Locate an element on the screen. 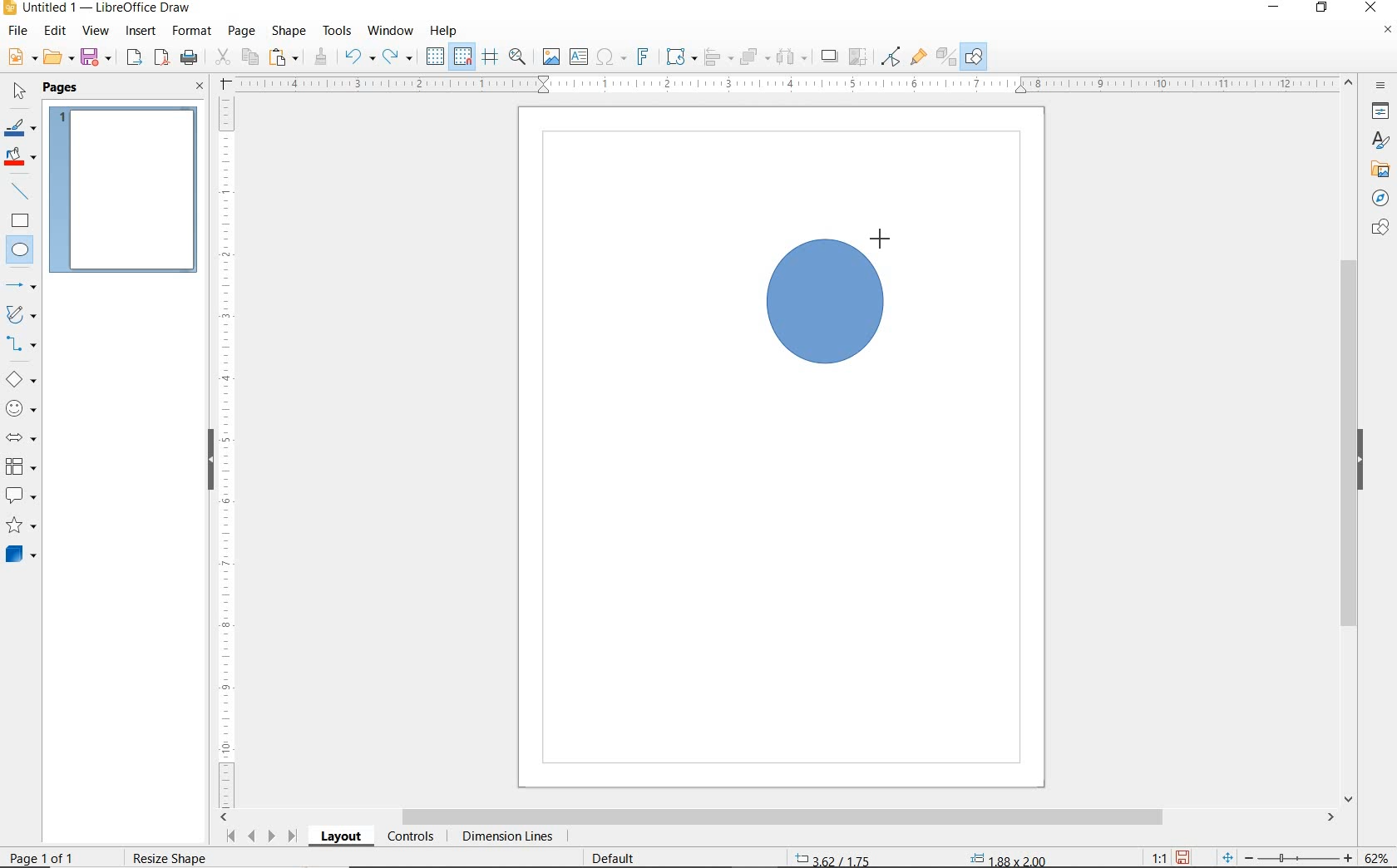 The height and width of the screenshot is (868, 1397). HIDE is located at coordinates (208, 457).